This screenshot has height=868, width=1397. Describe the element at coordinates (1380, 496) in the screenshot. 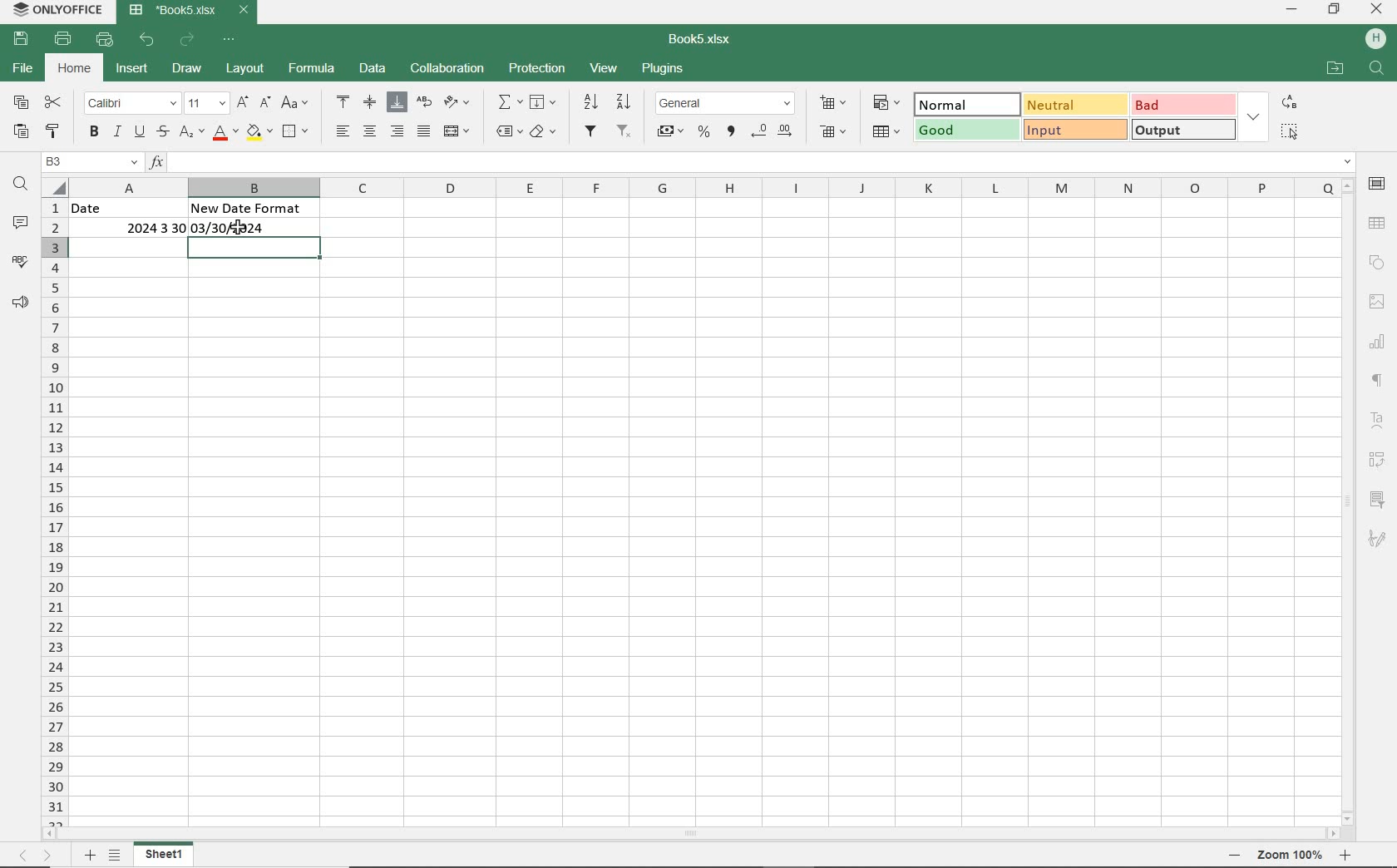

I see `SLICER` at that location.